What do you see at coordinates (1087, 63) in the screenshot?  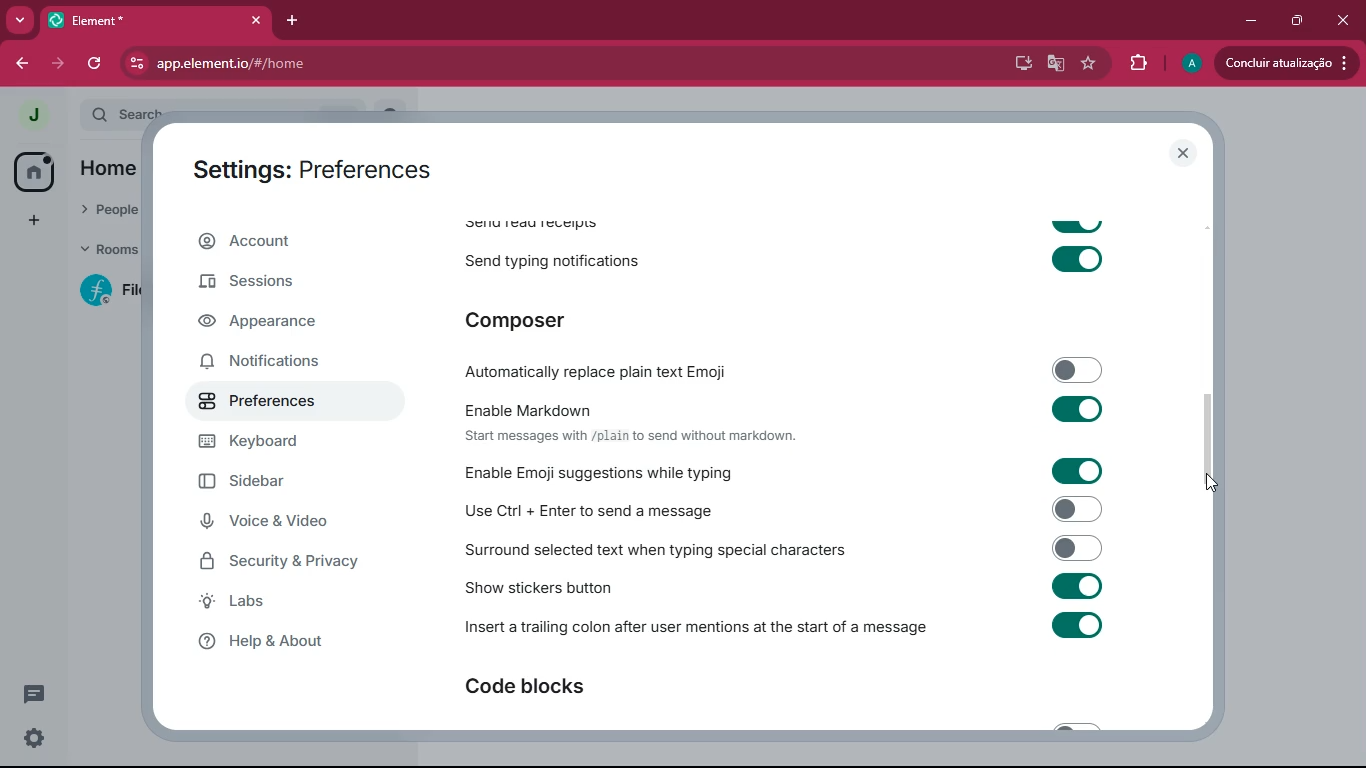 I see `favourite` at bounding box center [1087, 63].